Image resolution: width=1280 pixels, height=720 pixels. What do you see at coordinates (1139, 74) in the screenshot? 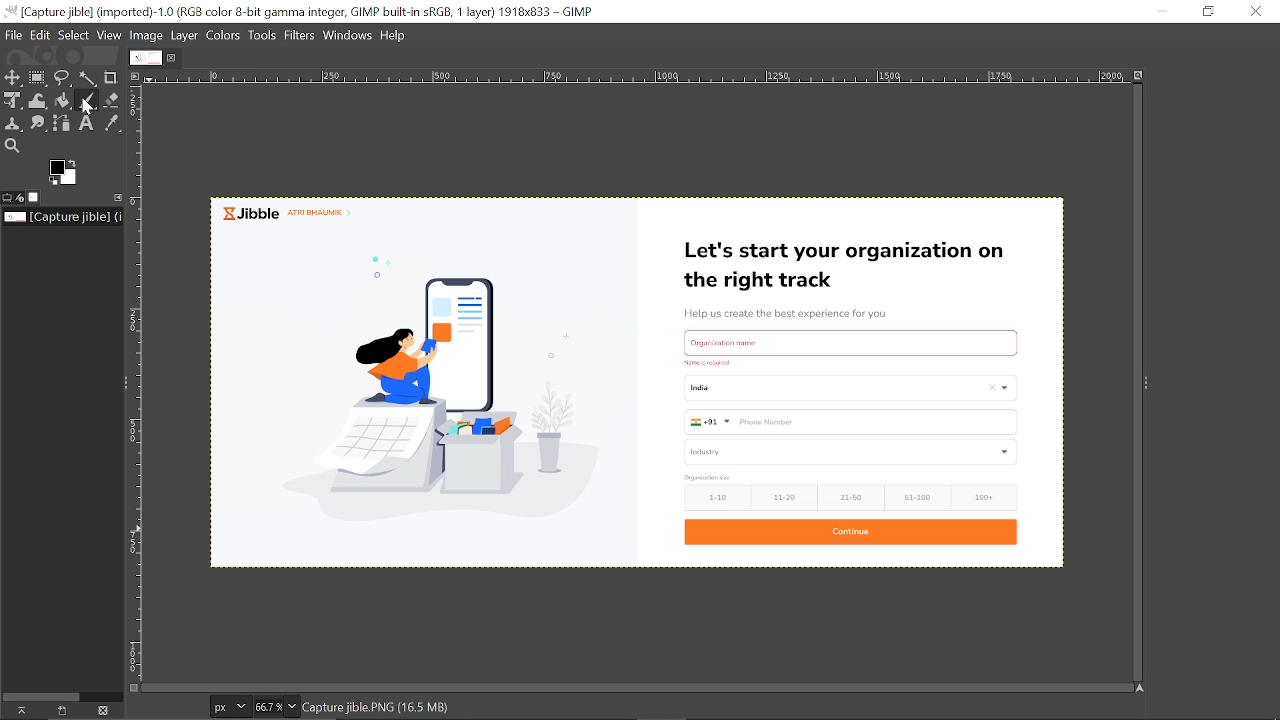
I see `Zoom images when window size changes` at bounding box center [1139, 74].